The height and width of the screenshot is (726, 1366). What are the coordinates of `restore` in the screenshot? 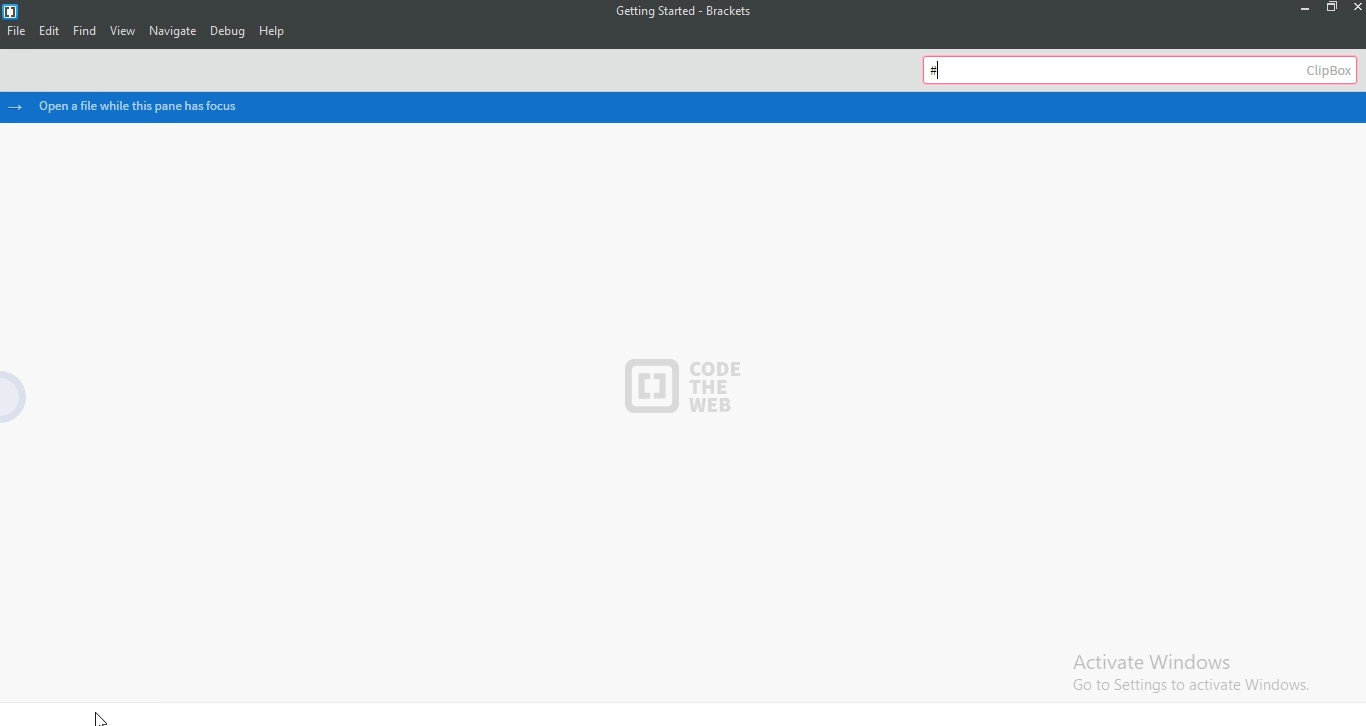 It's located at (1330, 9).